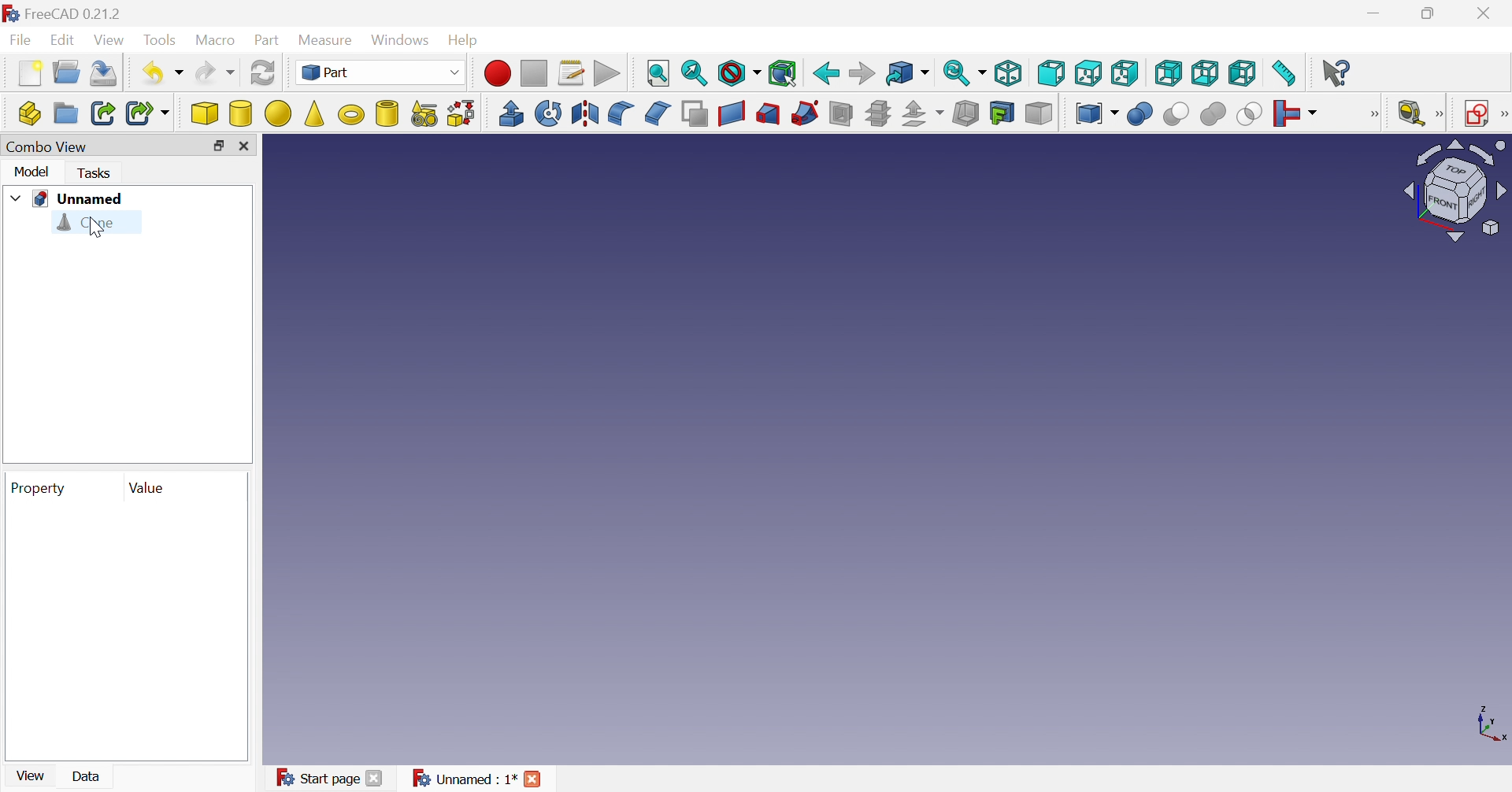 The image size is (1512, 792). What do you see at coordinates (1412, 114) in the screenshot?
I see `Measure liner` at bounding box center [1412, 114].